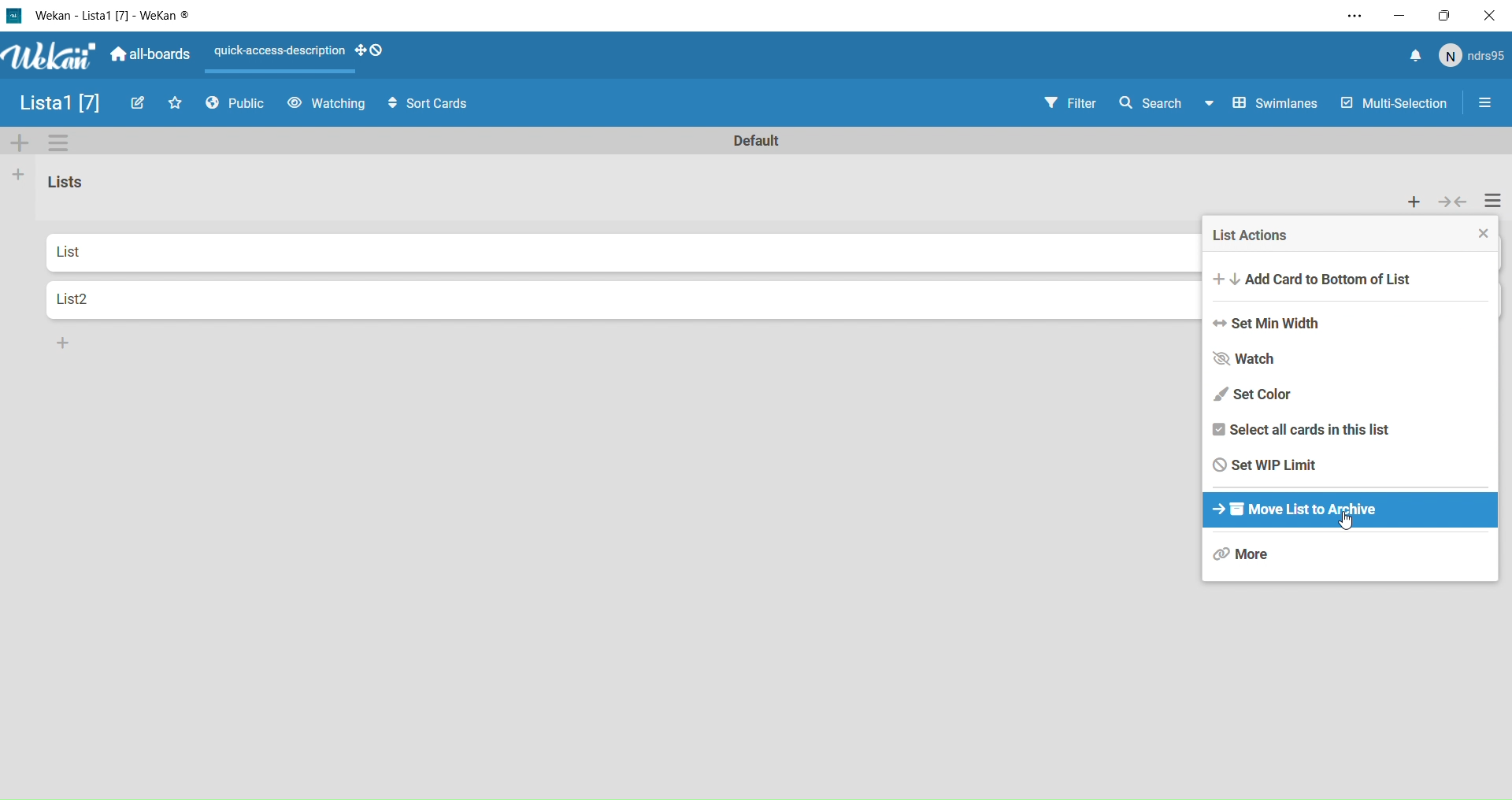 The image size is (1512, 800). I want to click on List, so click(72, 182).